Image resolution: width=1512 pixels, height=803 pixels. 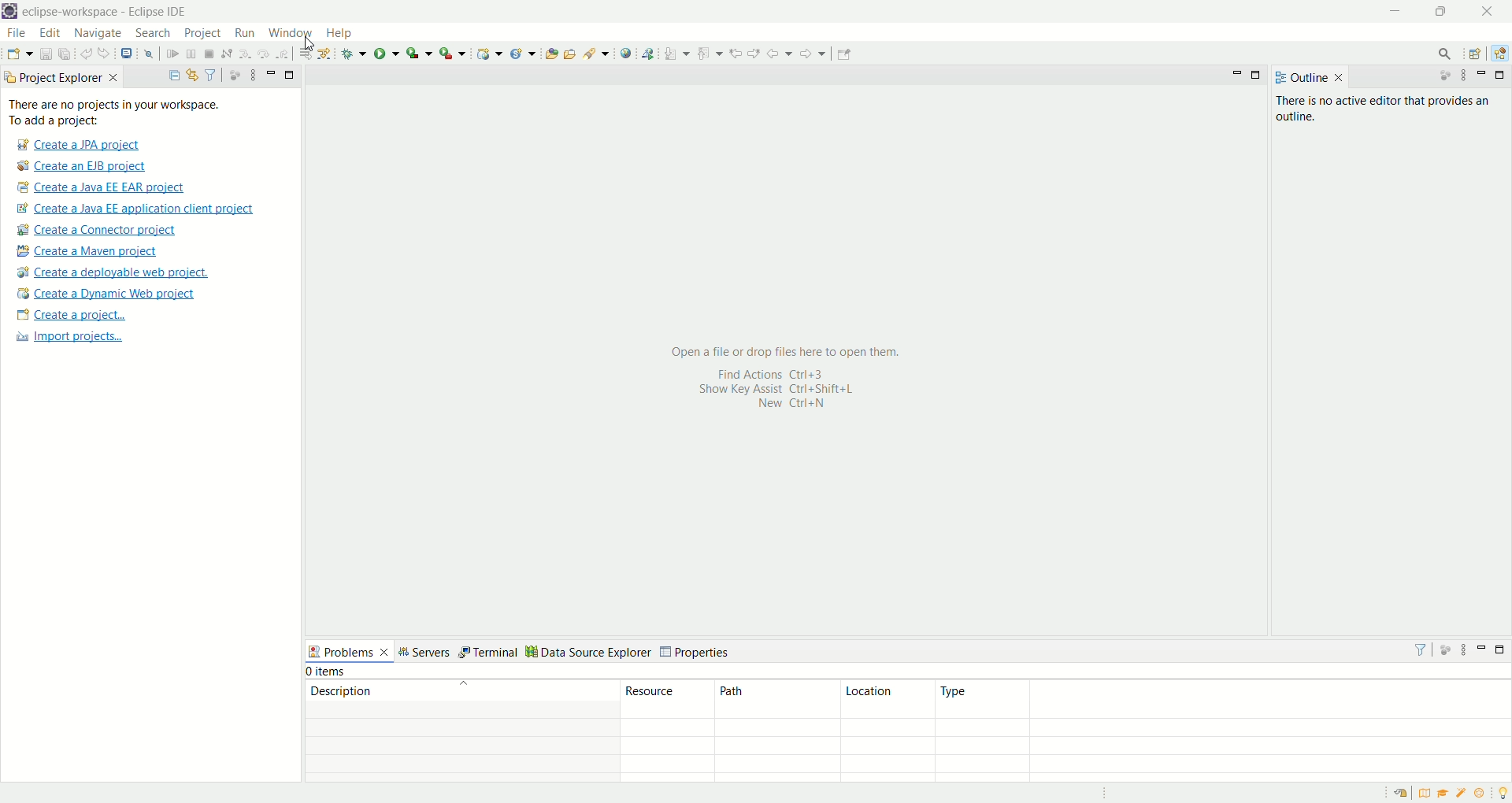 What do you see at coordinates (69, 316) in the screenshot?
I see `create a project` at bounding box center [69, 316].